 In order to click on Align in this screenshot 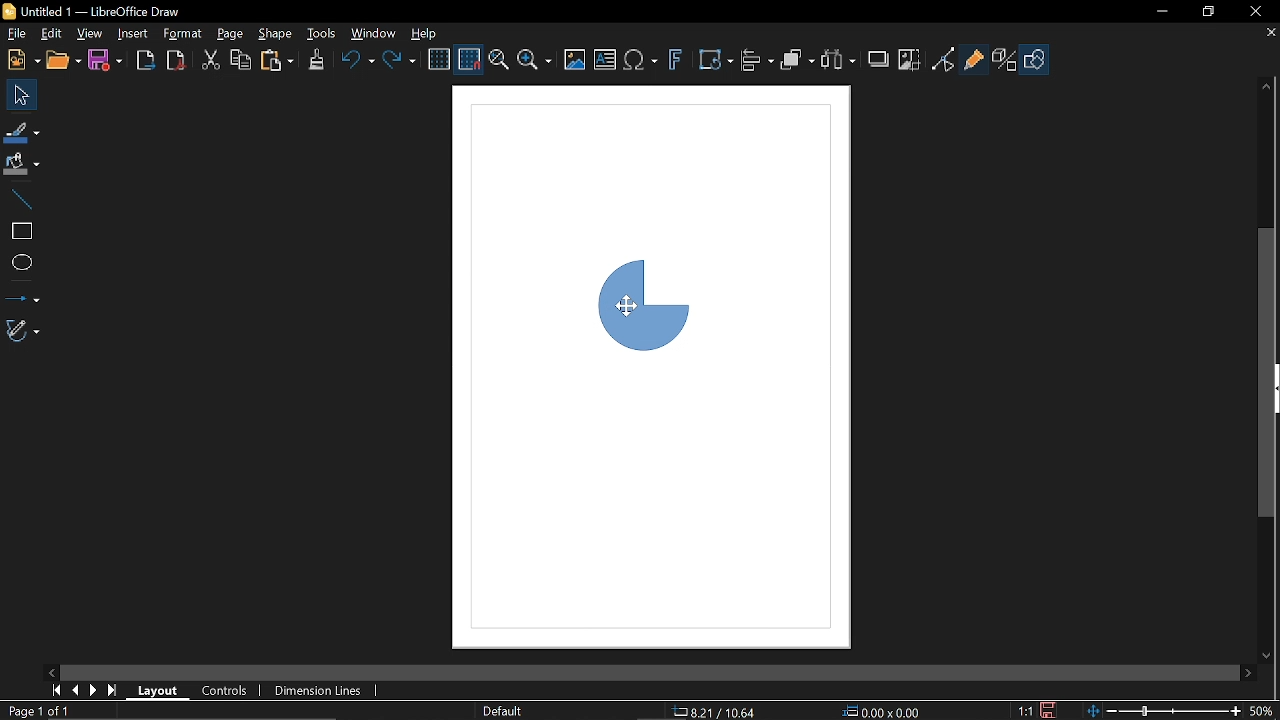, I will do `click(756, 62)`.